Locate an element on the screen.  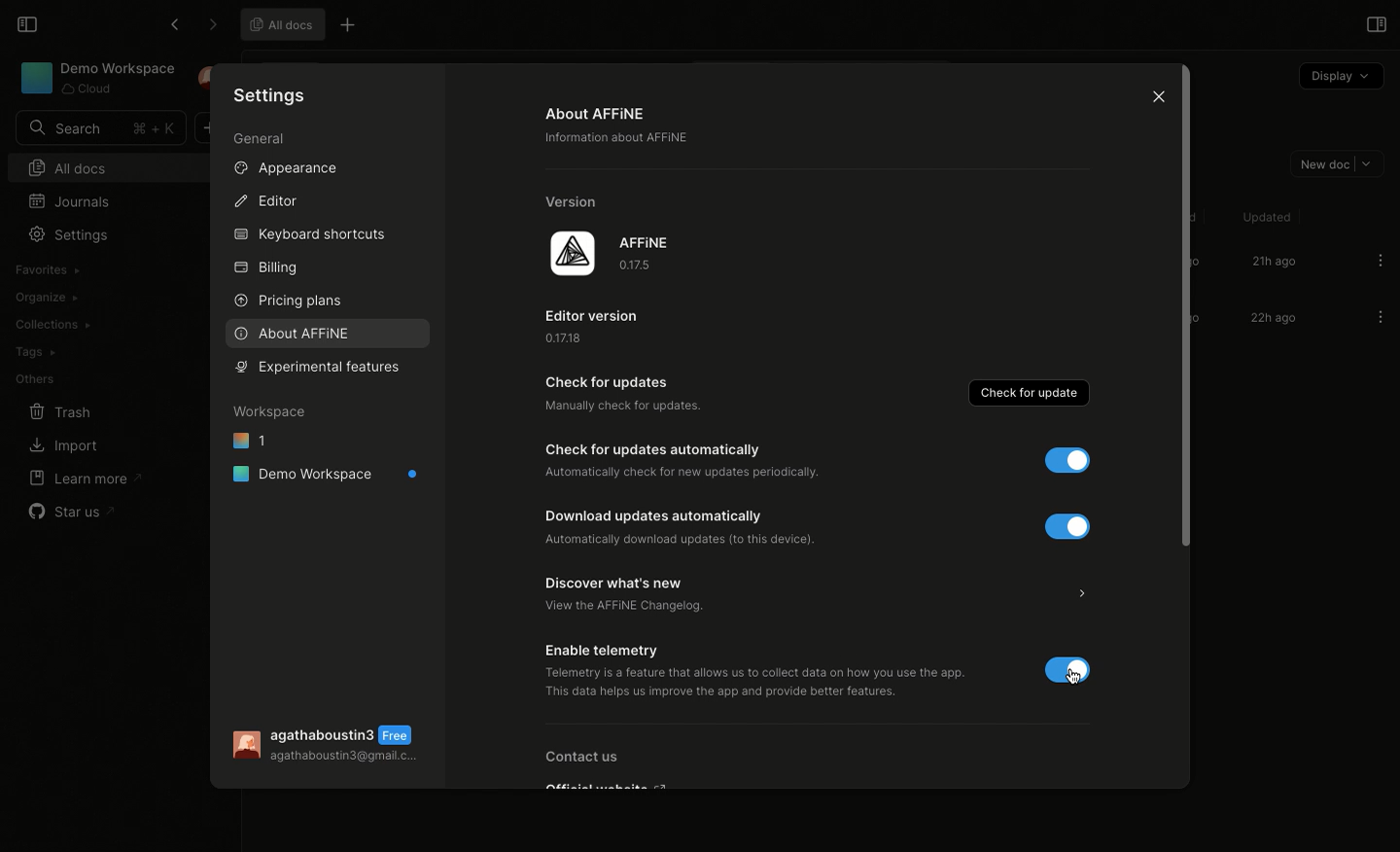
Check for updates is located at coordinates (625, 398).